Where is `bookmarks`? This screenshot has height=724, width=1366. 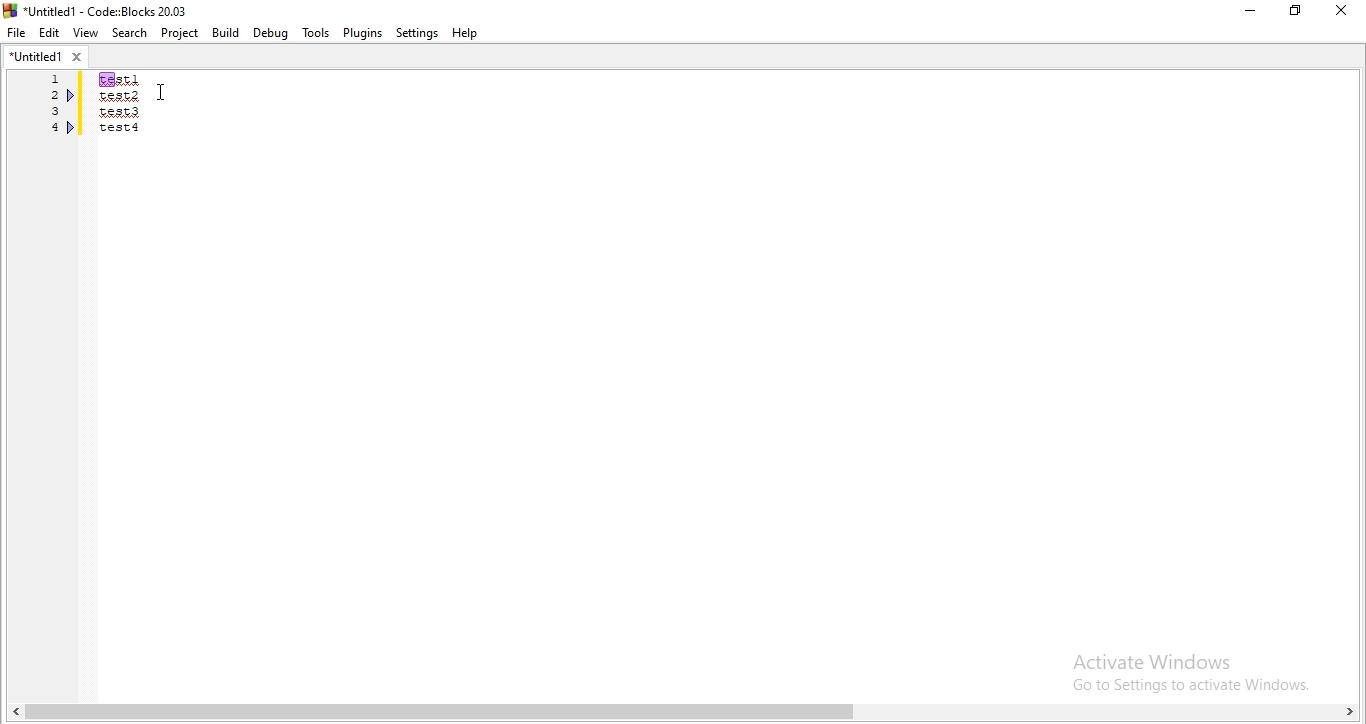
bookmarks is located at coordinates (72, 96).